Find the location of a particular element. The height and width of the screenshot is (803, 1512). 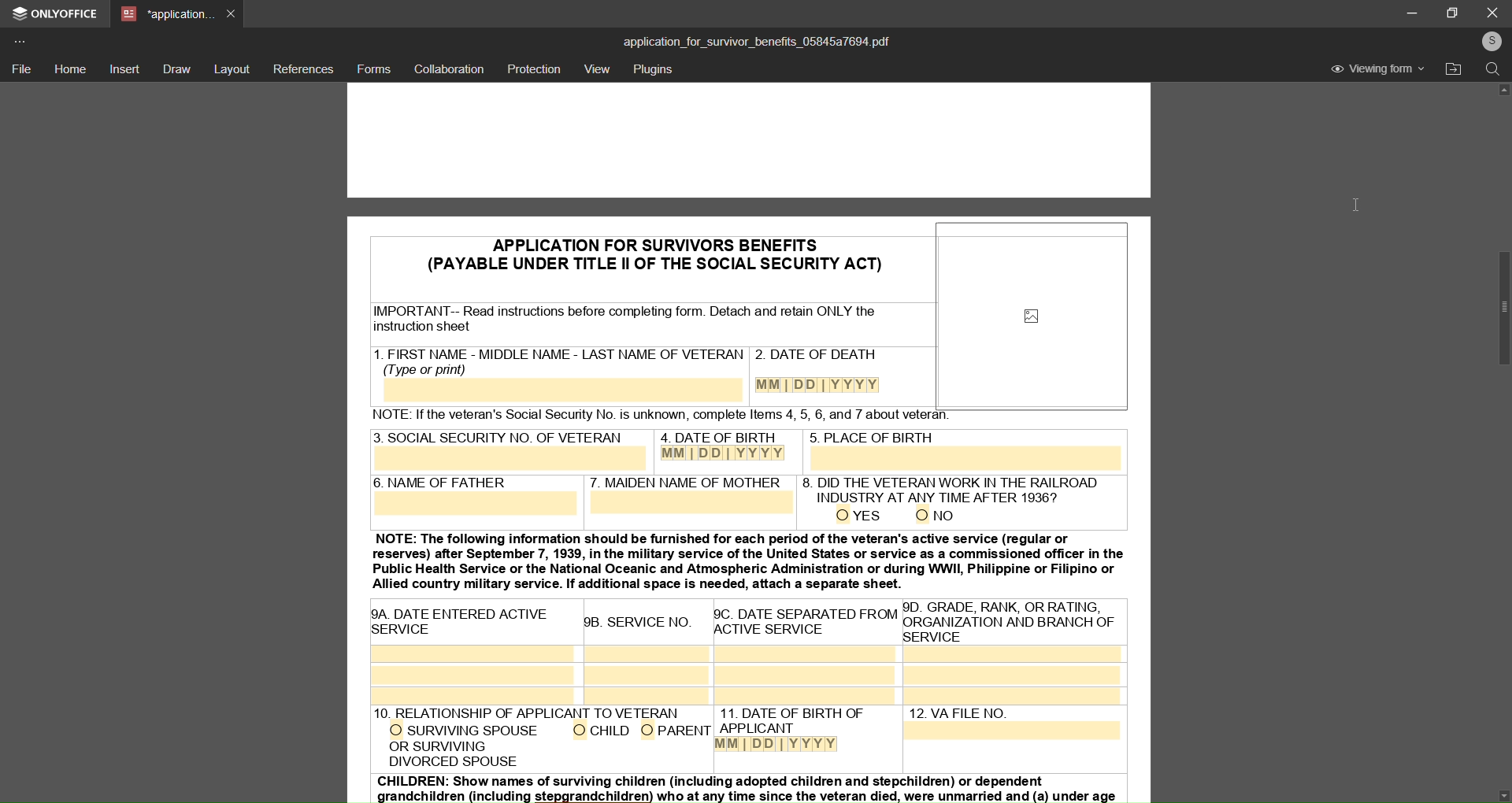

minimize is located at coordinates (1407, 13).